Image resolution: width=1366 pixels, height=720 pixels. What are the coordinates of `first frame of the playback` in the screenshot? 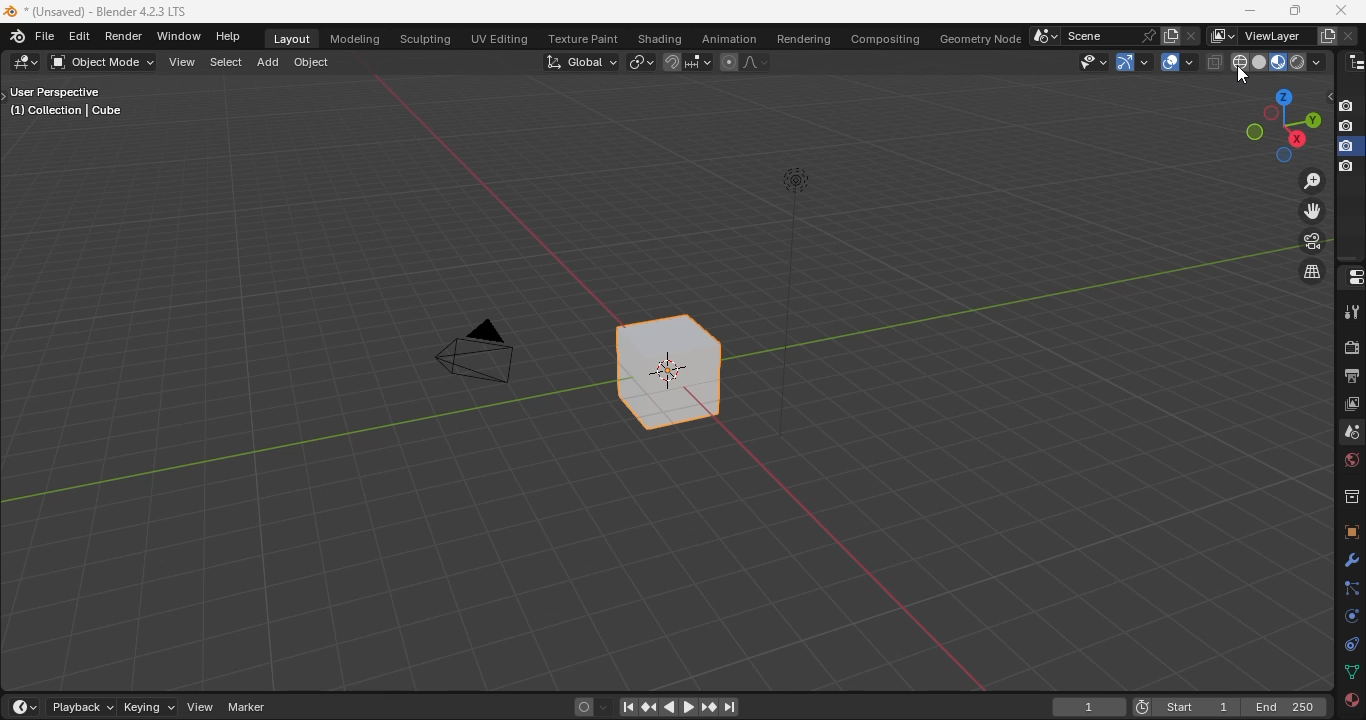 It's located at (1197, 707).